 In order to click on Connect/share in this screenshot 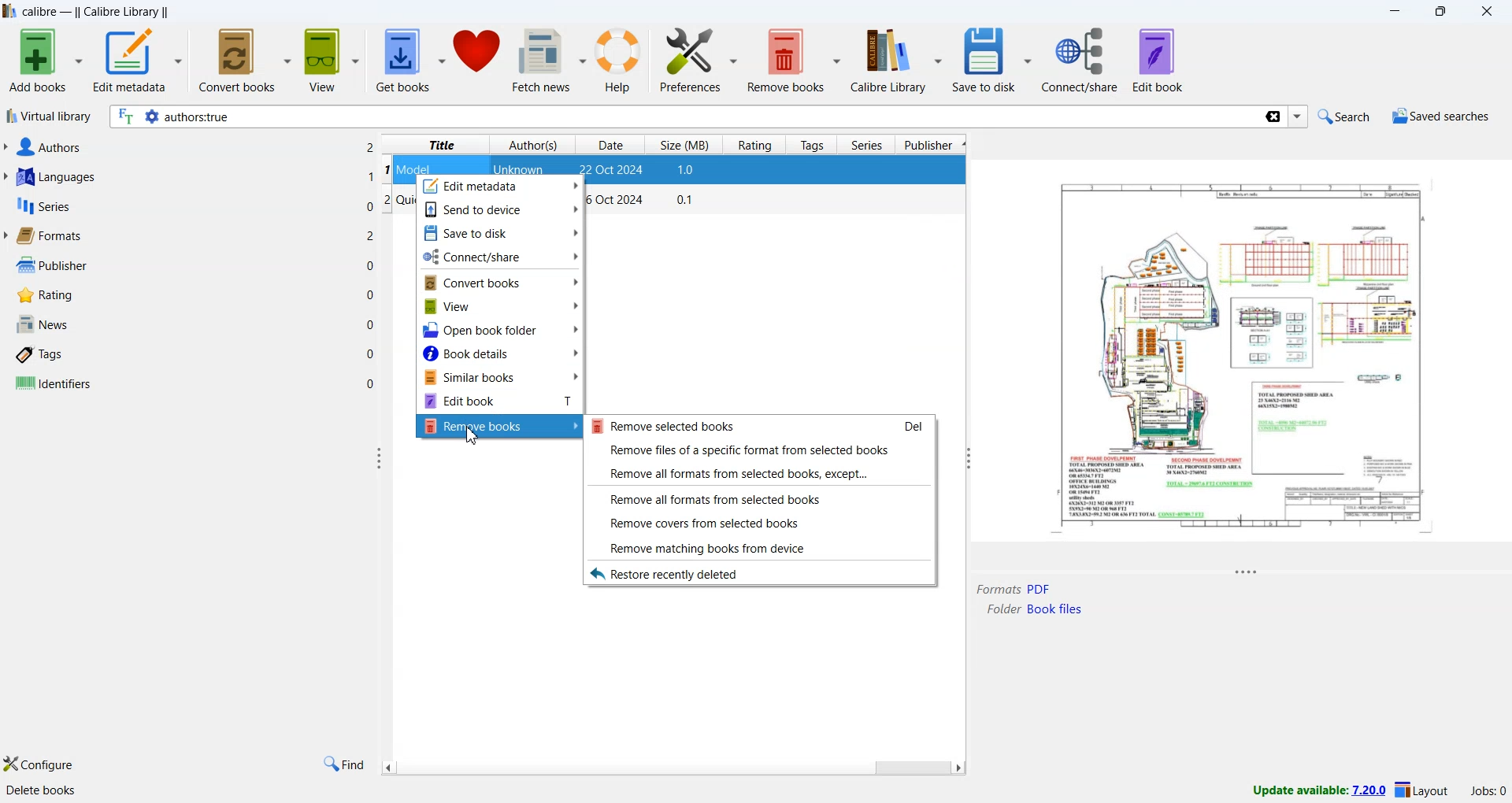, I will do `click(501, 257)`.